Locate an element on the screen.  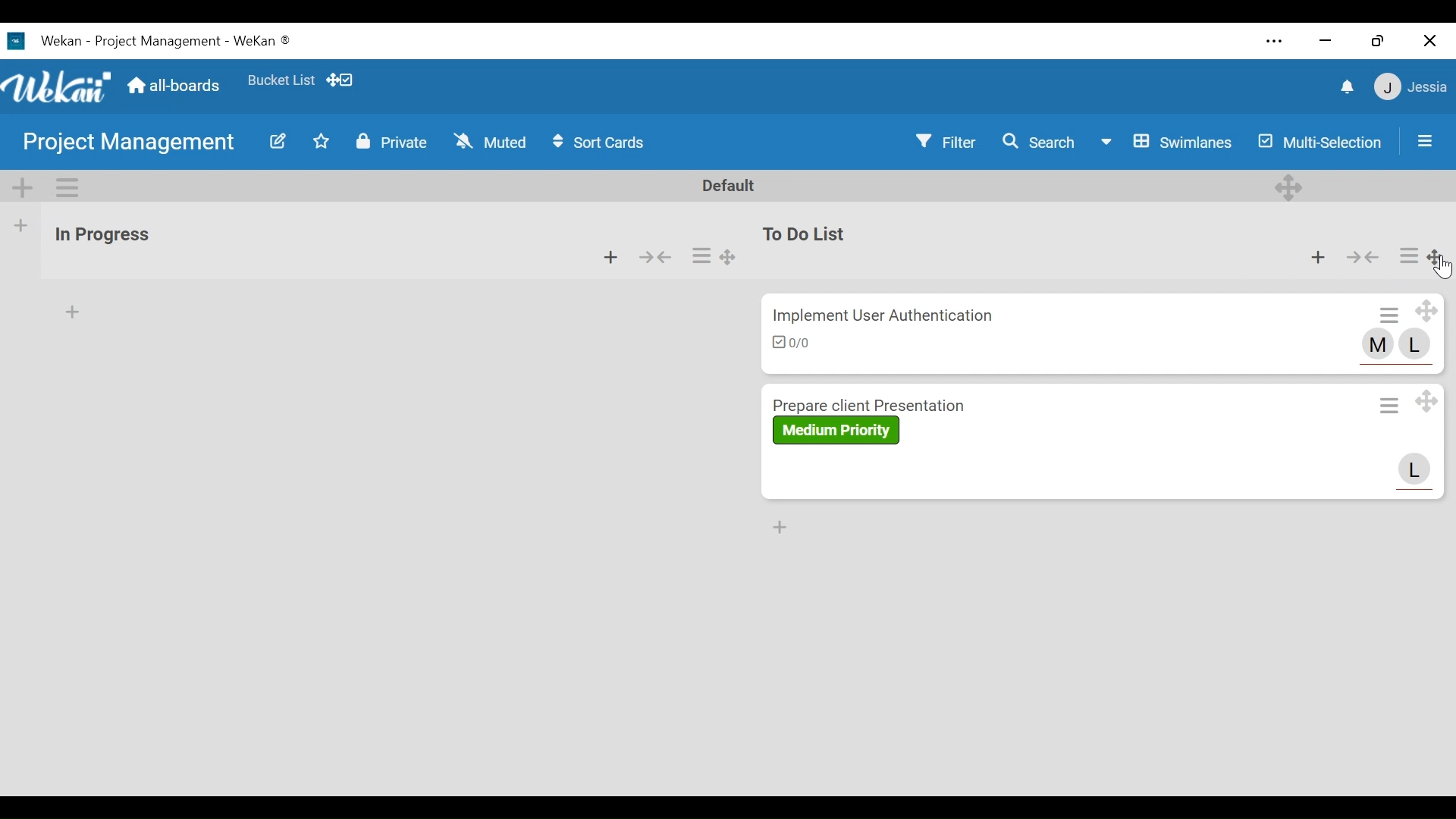
Drag is located at coordinates (730, 254).